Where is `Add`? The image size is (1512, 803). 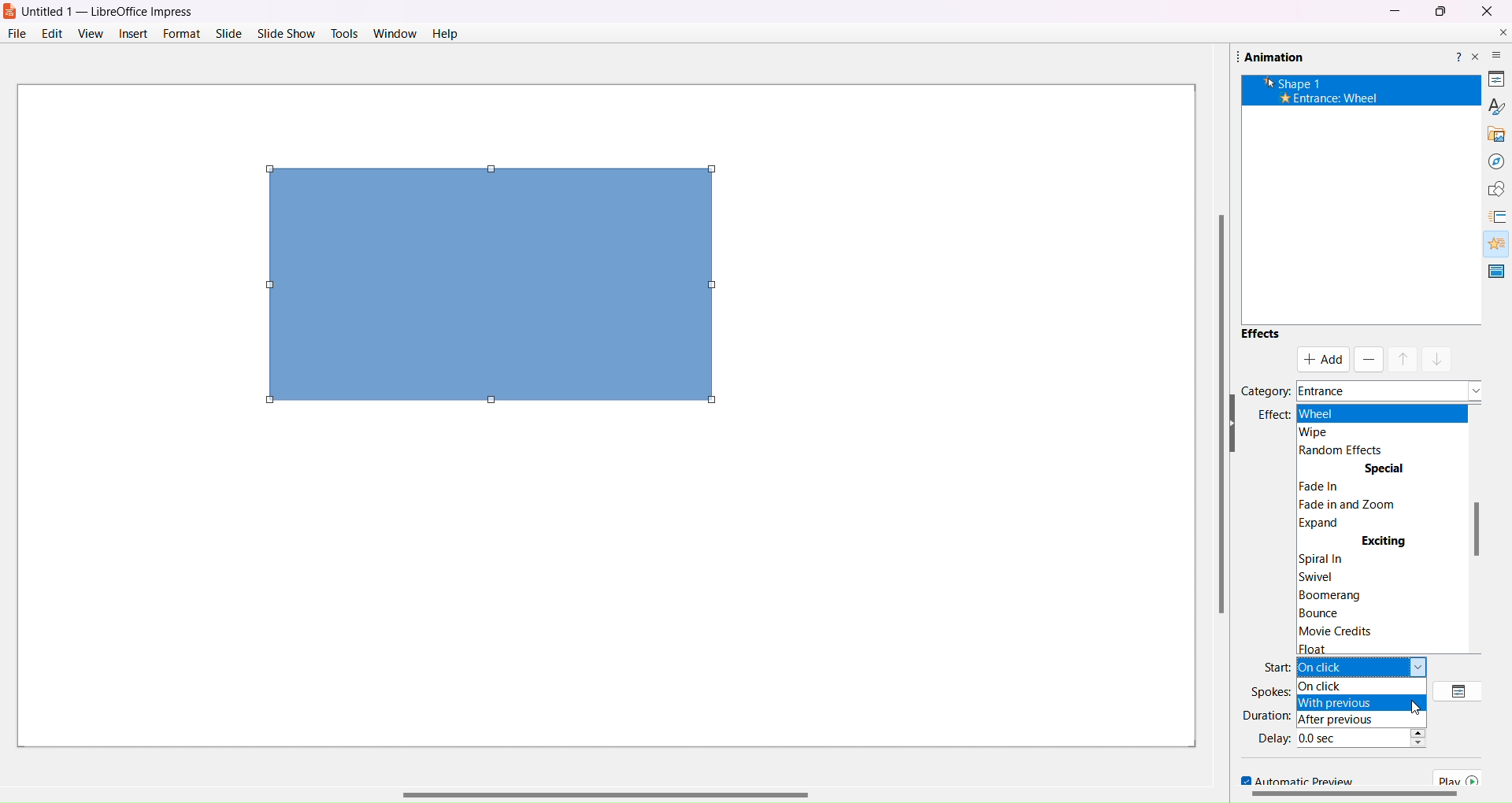 Add is located at coordinates (1325, 359).